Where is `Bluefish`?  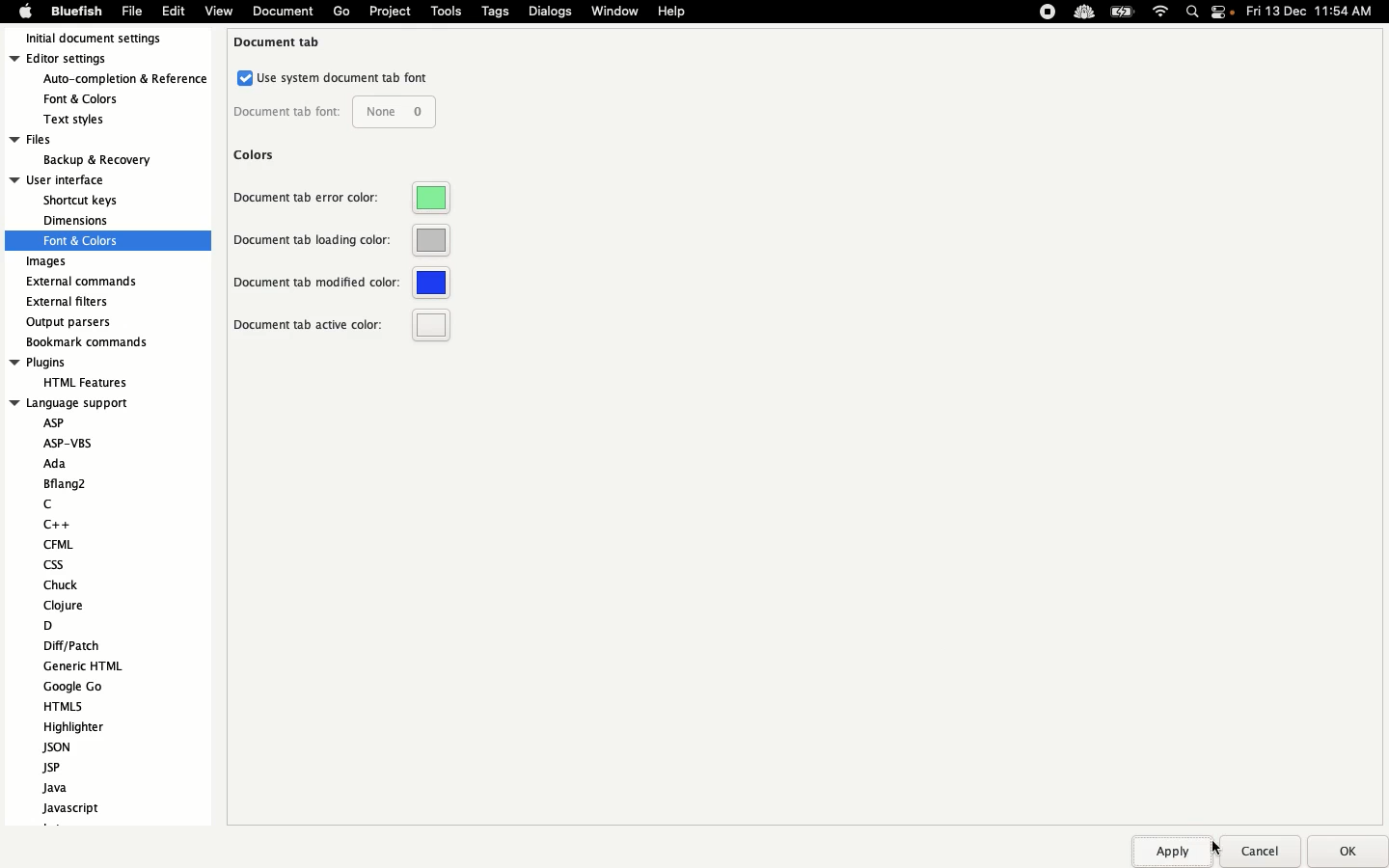
Bluefish is located at coordinates (73, 12).